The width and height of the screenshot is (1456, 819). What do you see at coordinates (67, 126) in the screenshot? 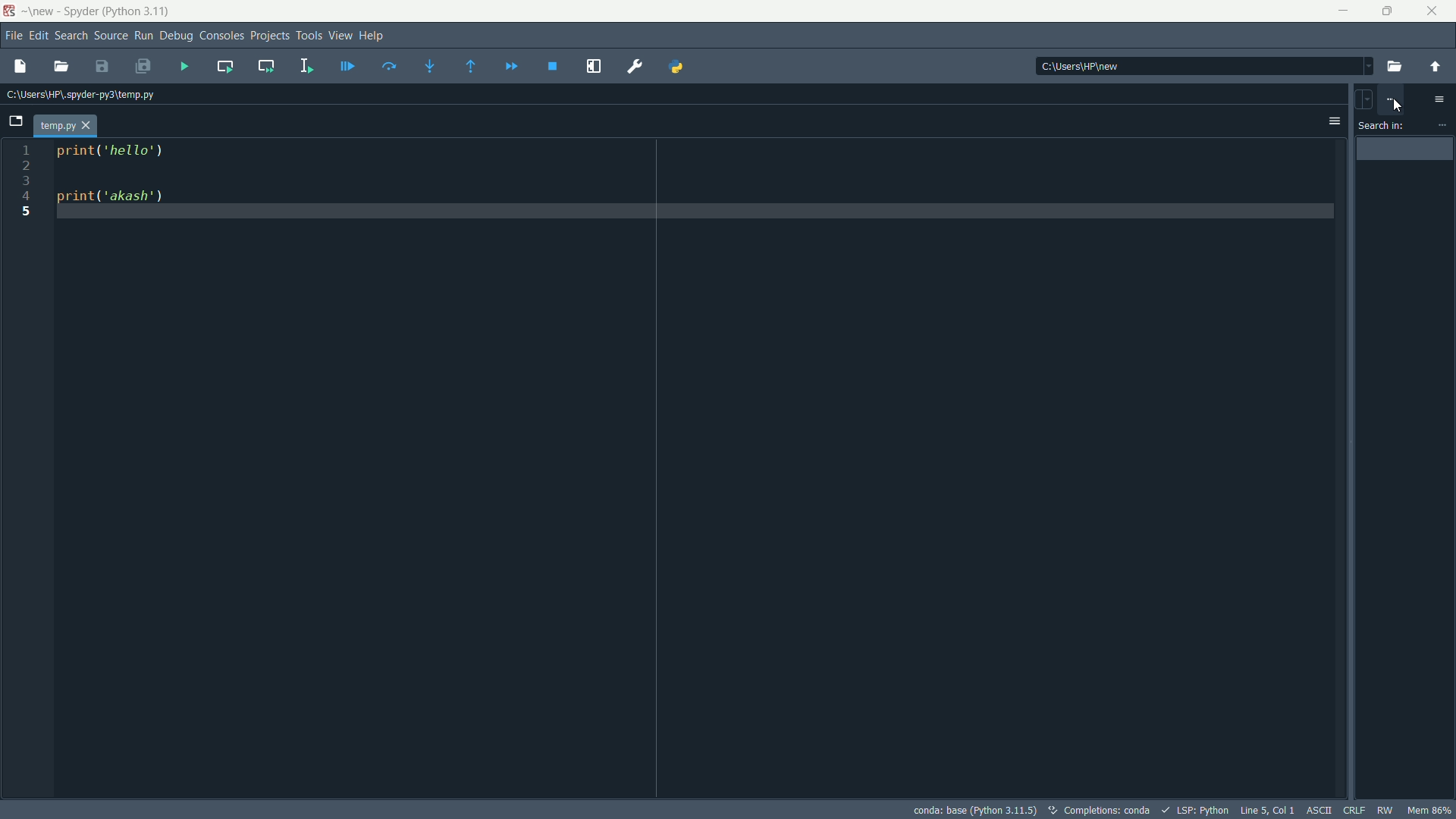
I see `temp.py ` at bounding box center [67, 126].